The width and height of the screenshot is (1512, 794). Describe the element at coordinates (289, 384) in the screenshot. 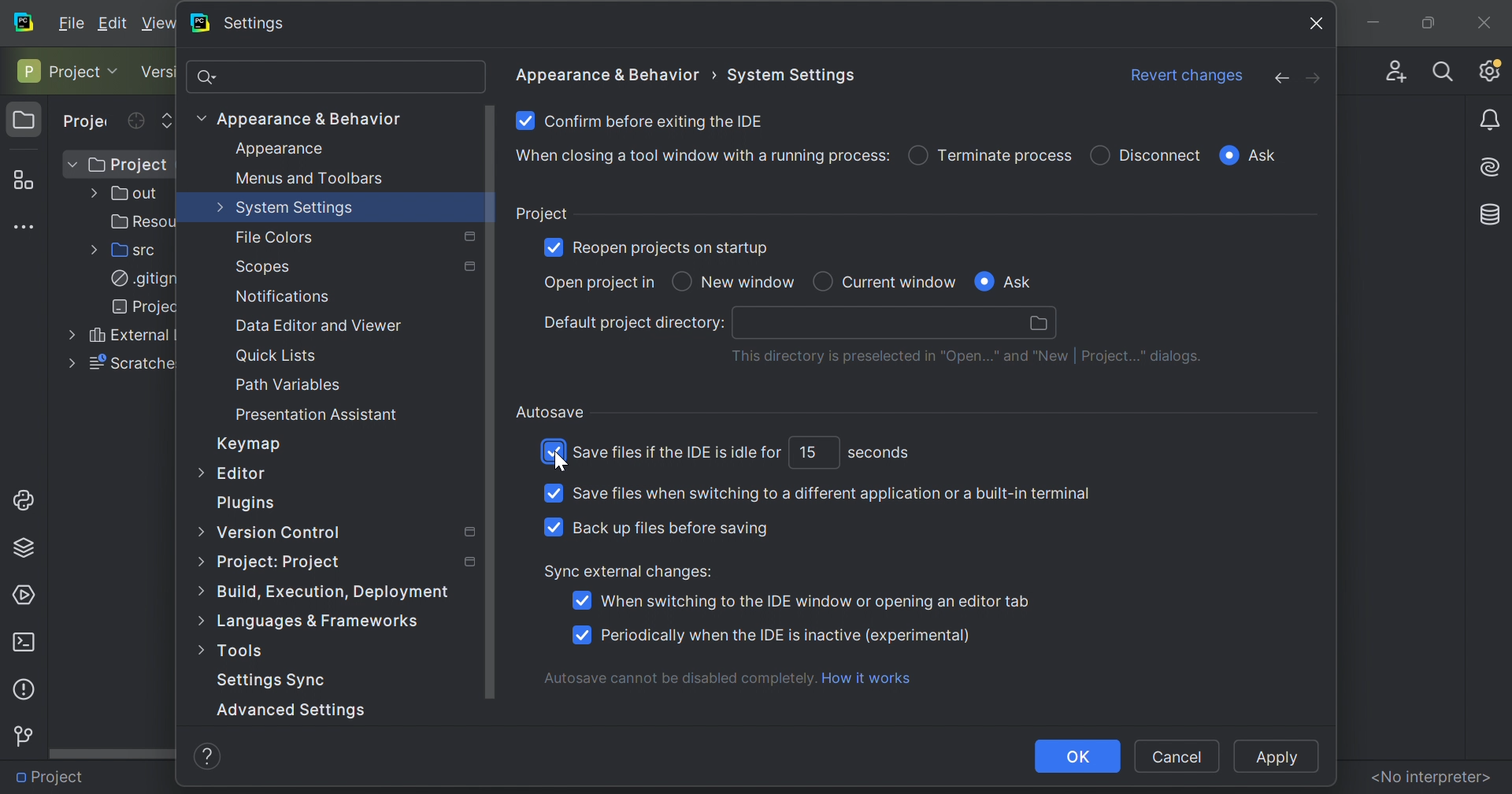

I see `Path Variables` at that location.